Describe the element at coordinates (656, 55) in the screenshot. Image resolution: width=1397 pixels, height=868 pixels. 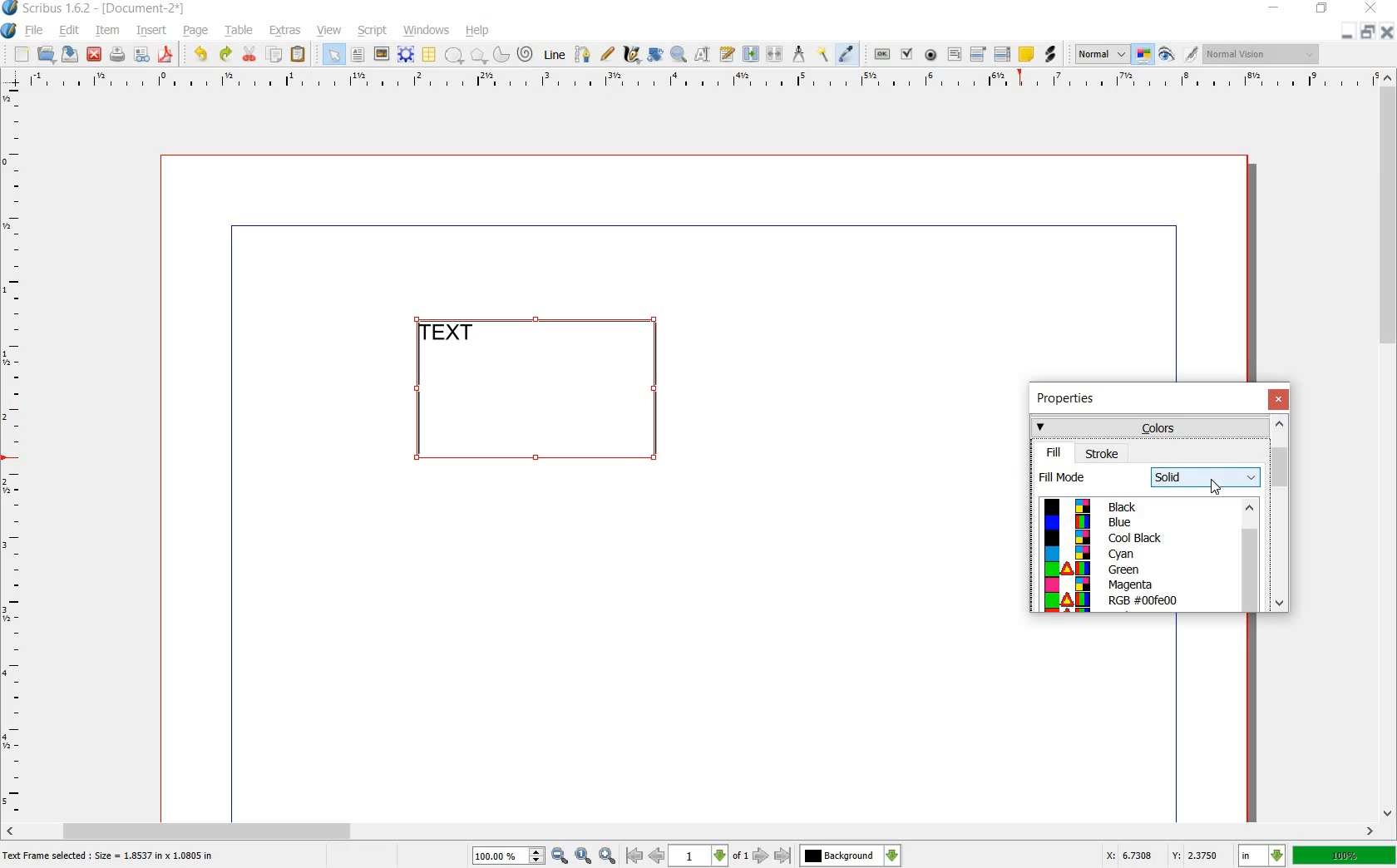
I see `rotate item` at that location.